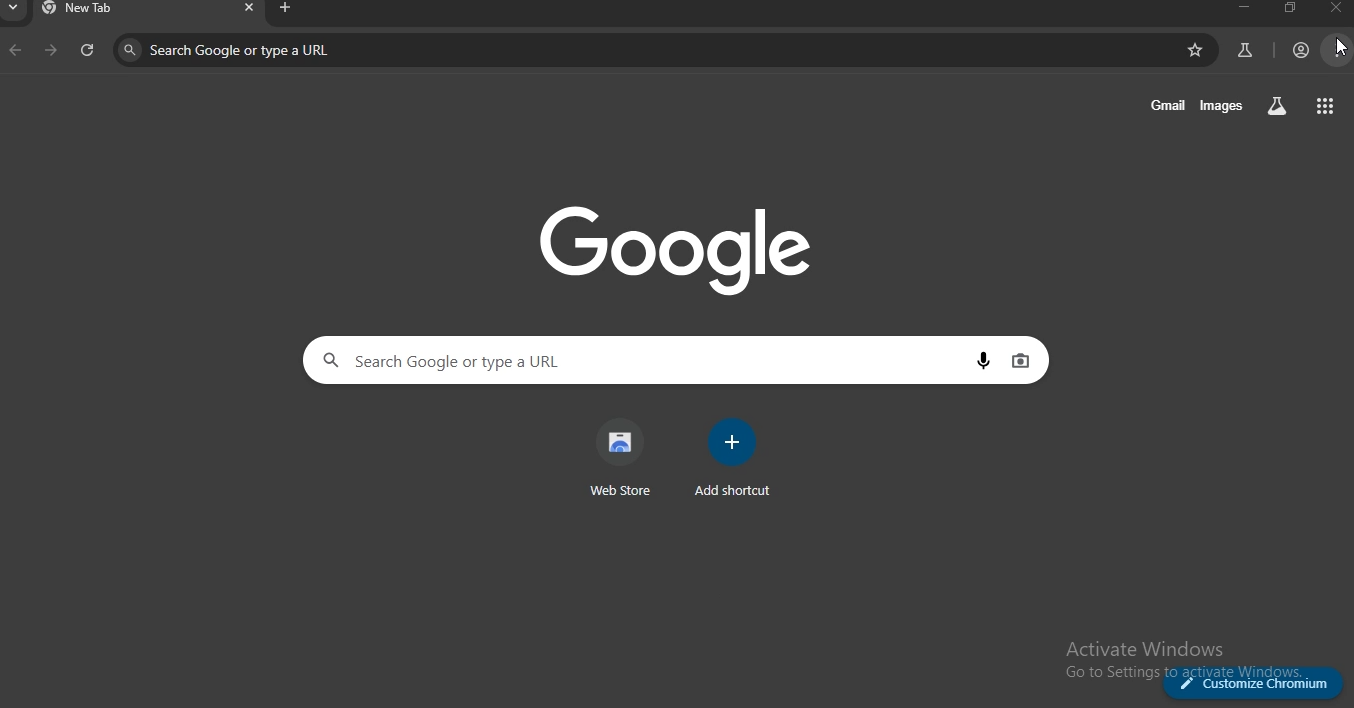 This screenshot has height=708, width=1354. Describe the element at coordinates (377, 51) in the screenshot. I see `search google or type a URL` at that location.